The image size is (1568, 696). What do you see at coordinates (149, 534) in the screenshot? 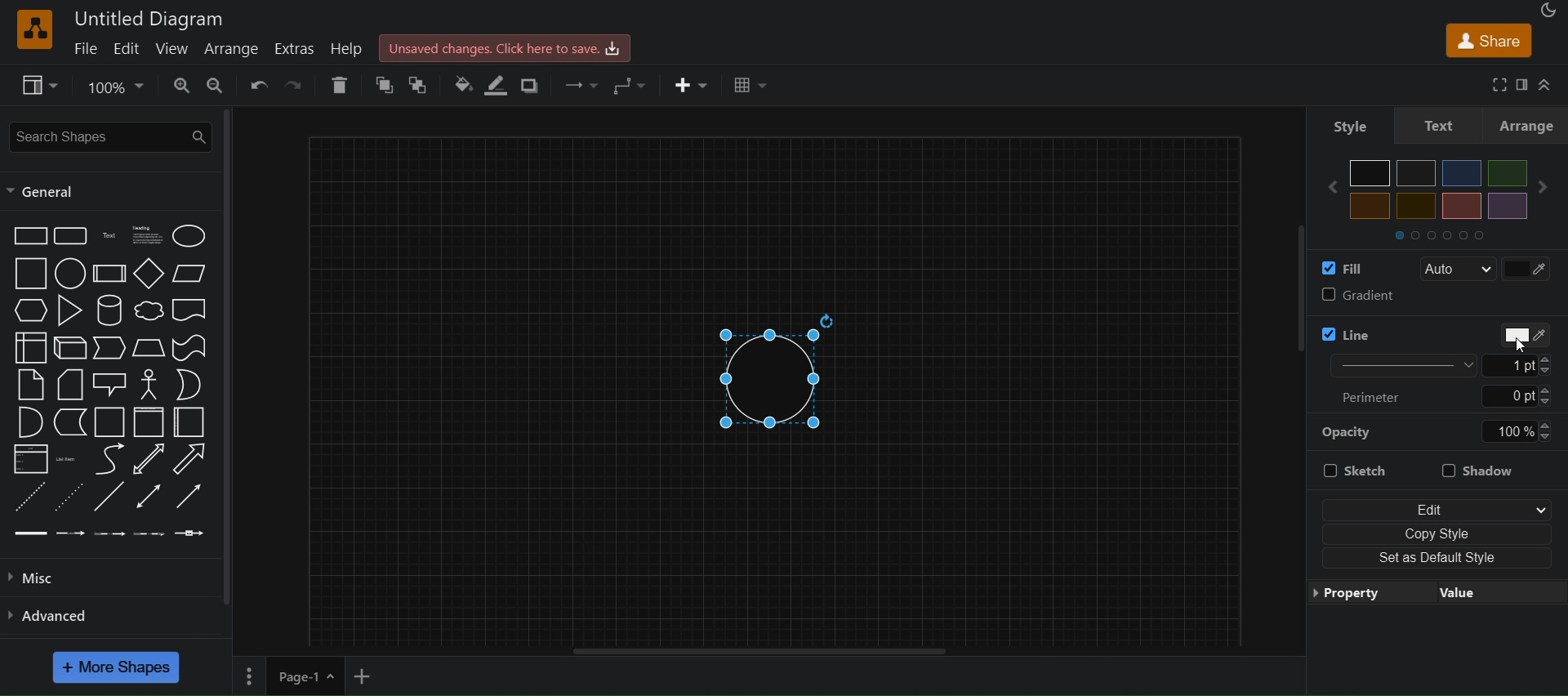
I see `connector 4` at bounding box center [149, 534].